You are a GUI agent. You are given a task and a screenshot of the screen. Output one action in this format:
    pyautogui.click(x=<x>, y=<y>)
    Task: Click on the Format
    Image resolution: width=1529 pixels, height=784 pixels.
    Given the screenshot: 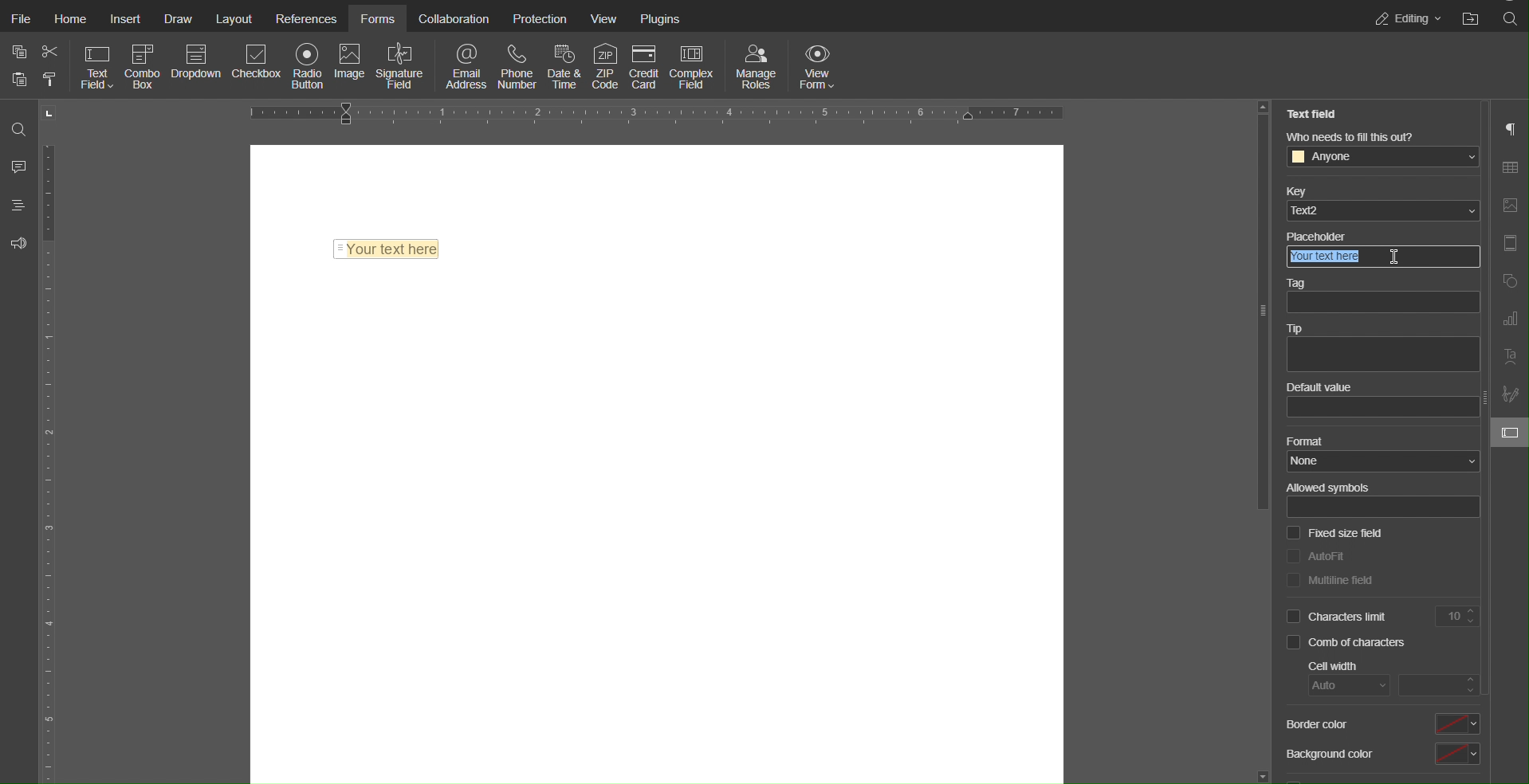 What is the action you would take?
    pyautogui.click(x=1378, y=453)
    